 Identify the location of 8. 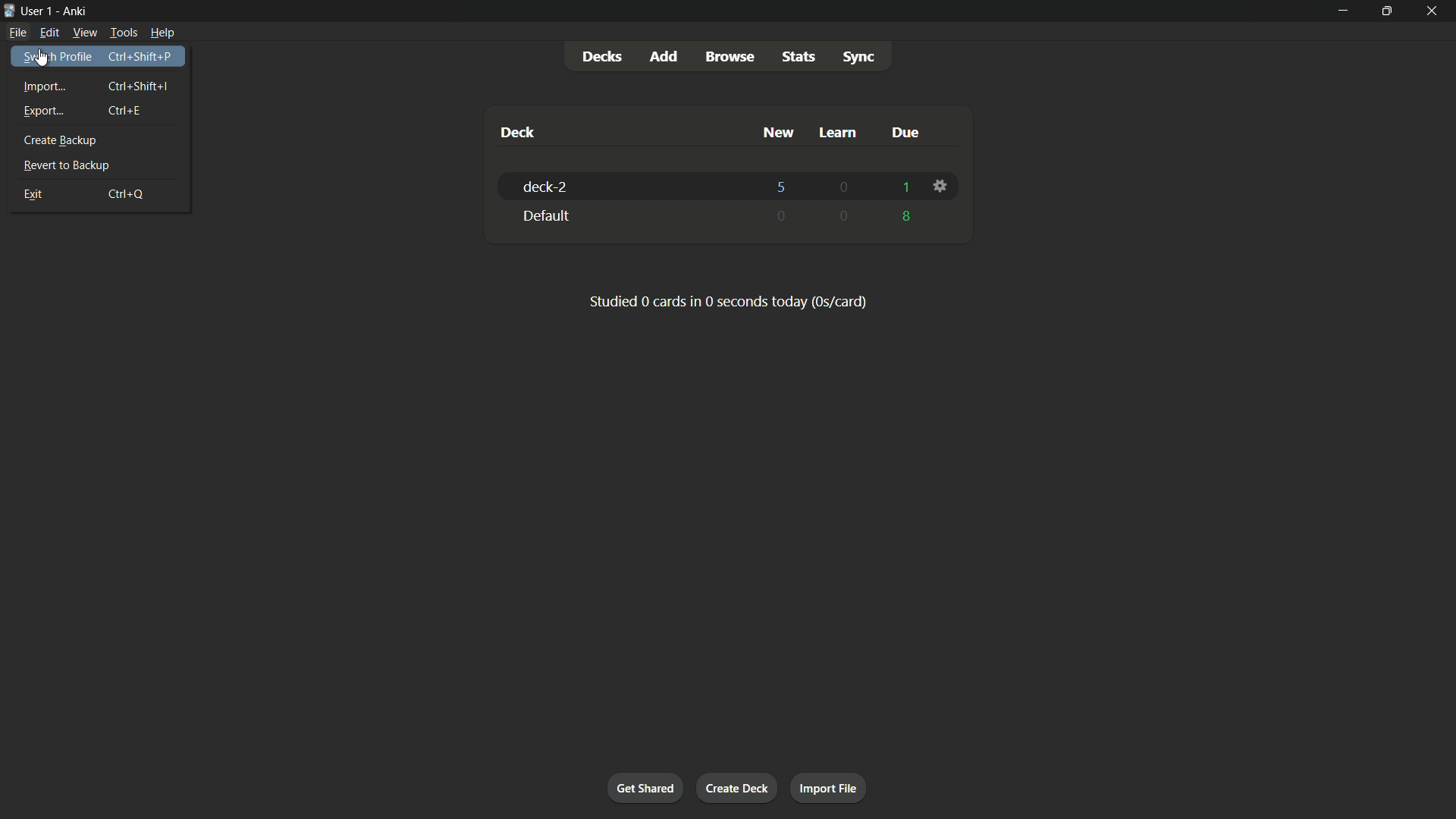
(908, 217).